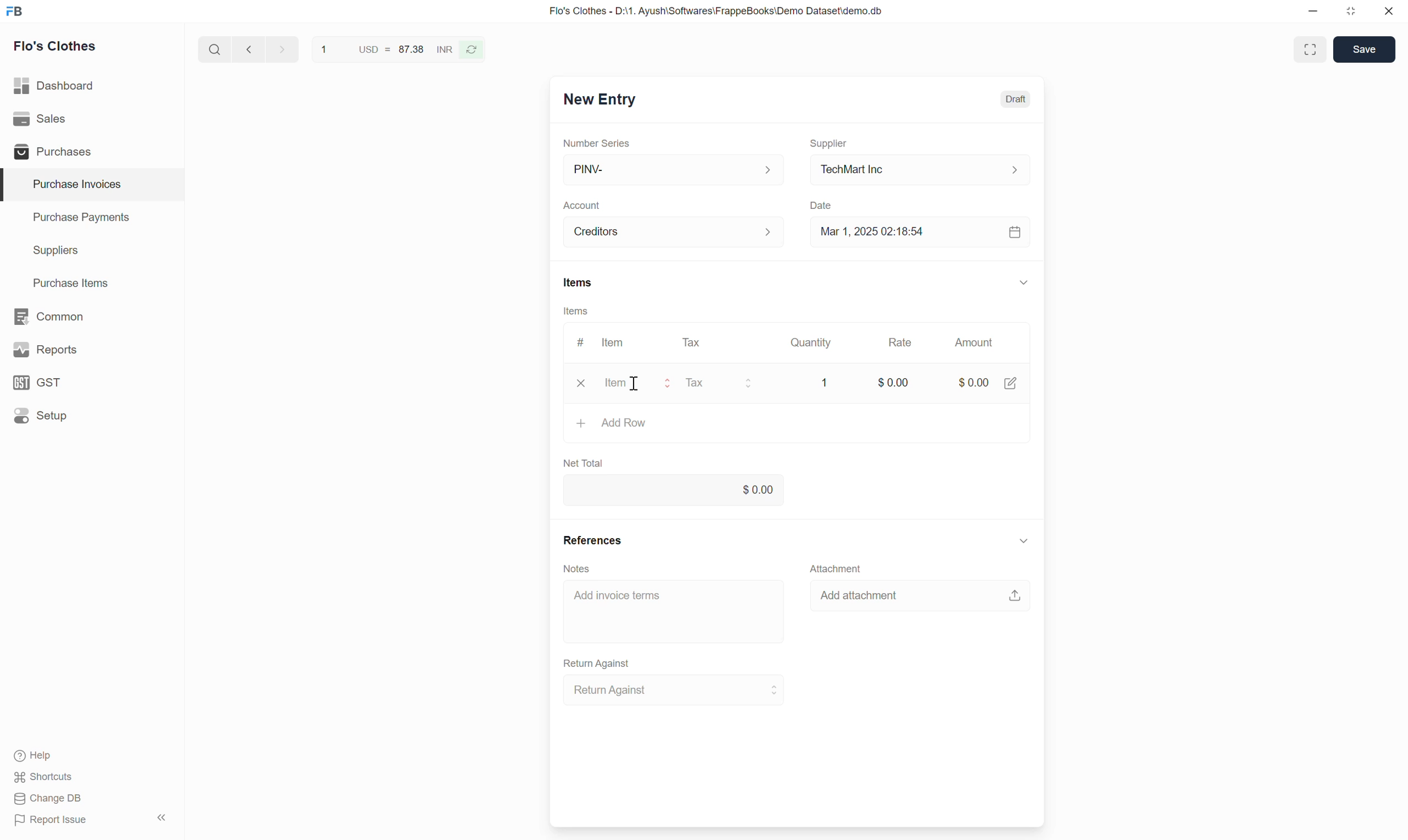 The width and height of the screenshot is (1408, 840). What do you see at coordinates (978, 342) in the screenshot?
I see `Amount` at bounding box center [978, 342].